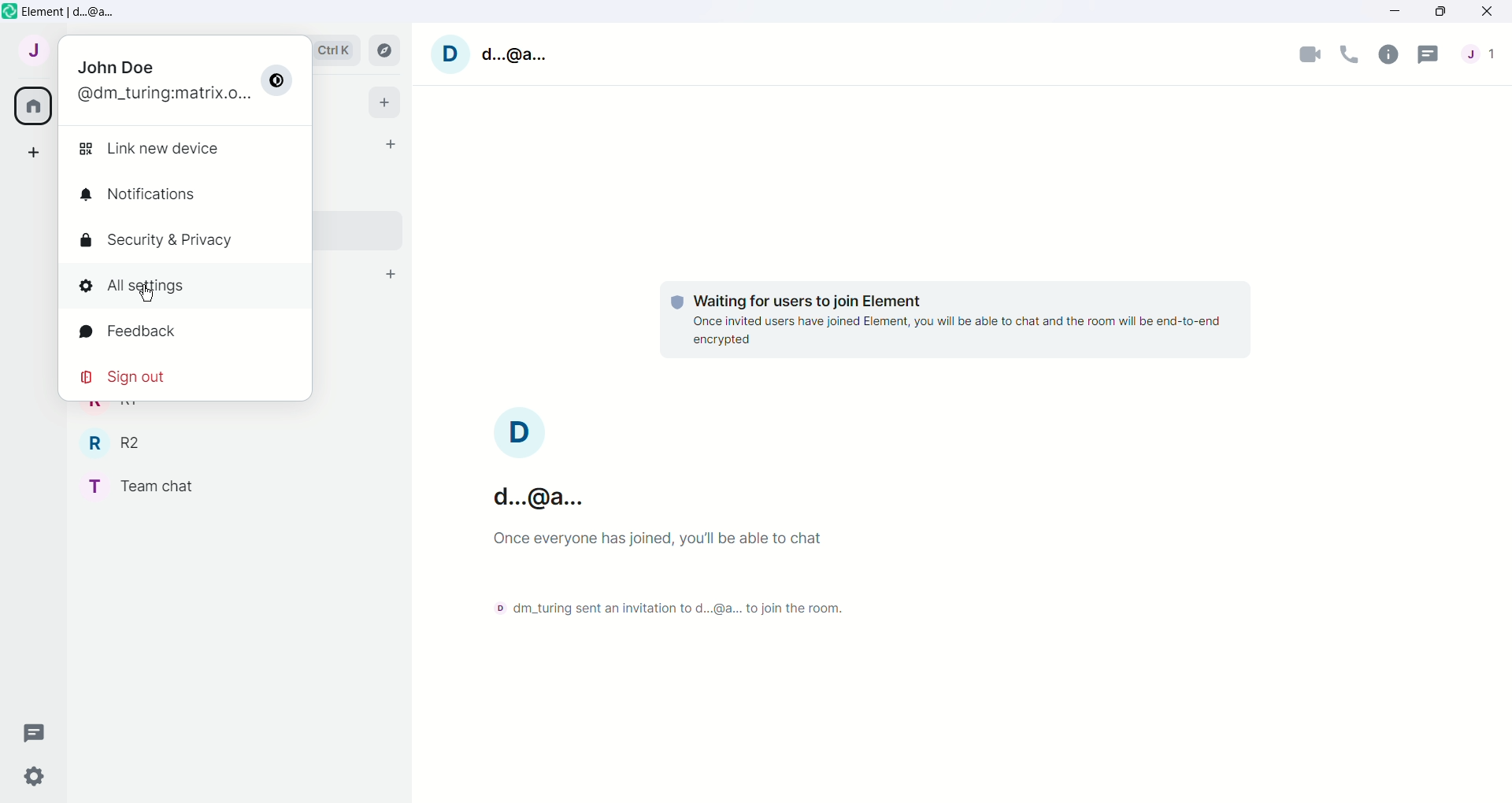  What do you see at coordinates (185, 194) in the screenshot?
I see `Notifications` at bounding box center [185, 194].